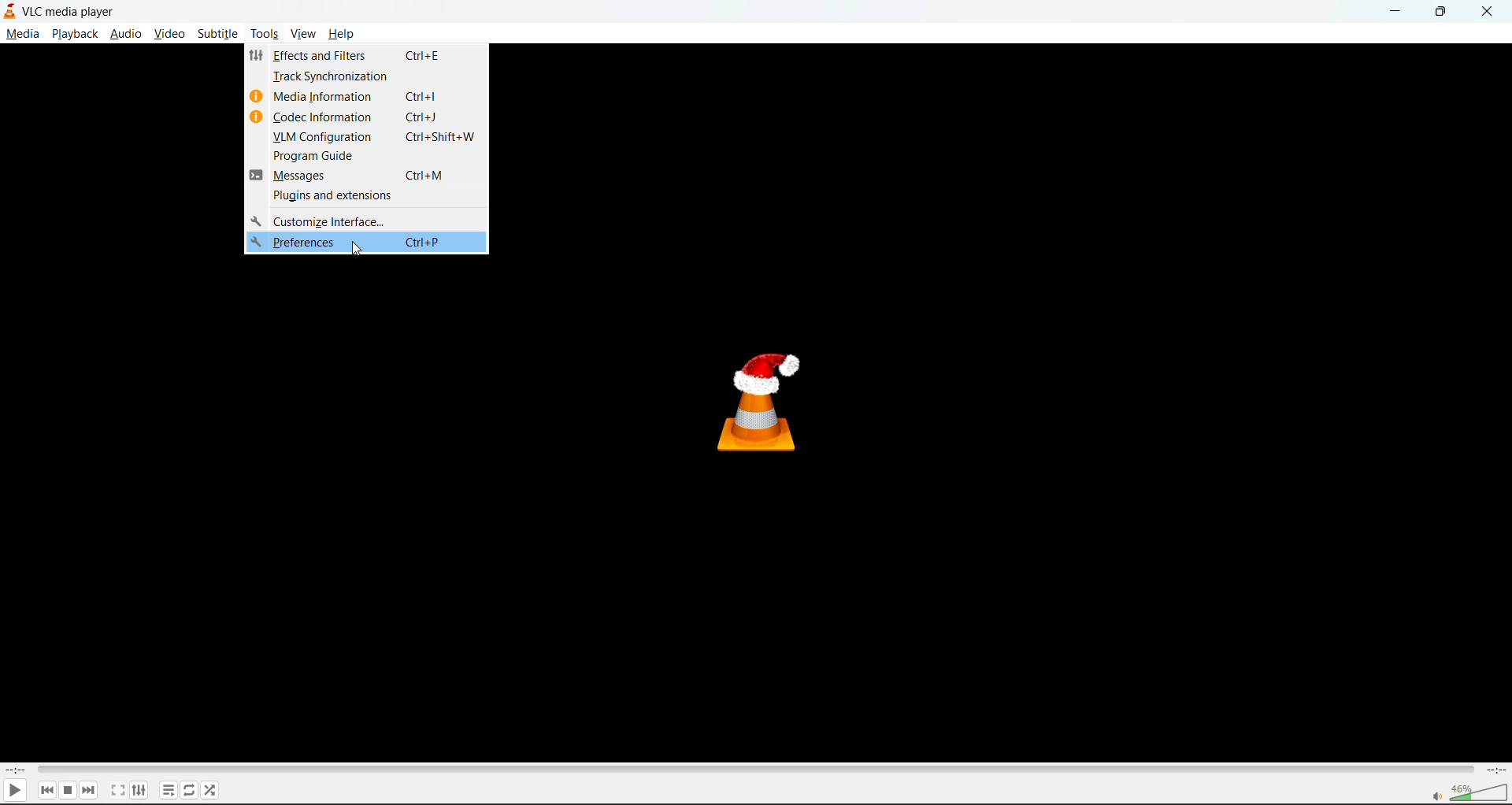  I want to click on previous, so click(46, 791).